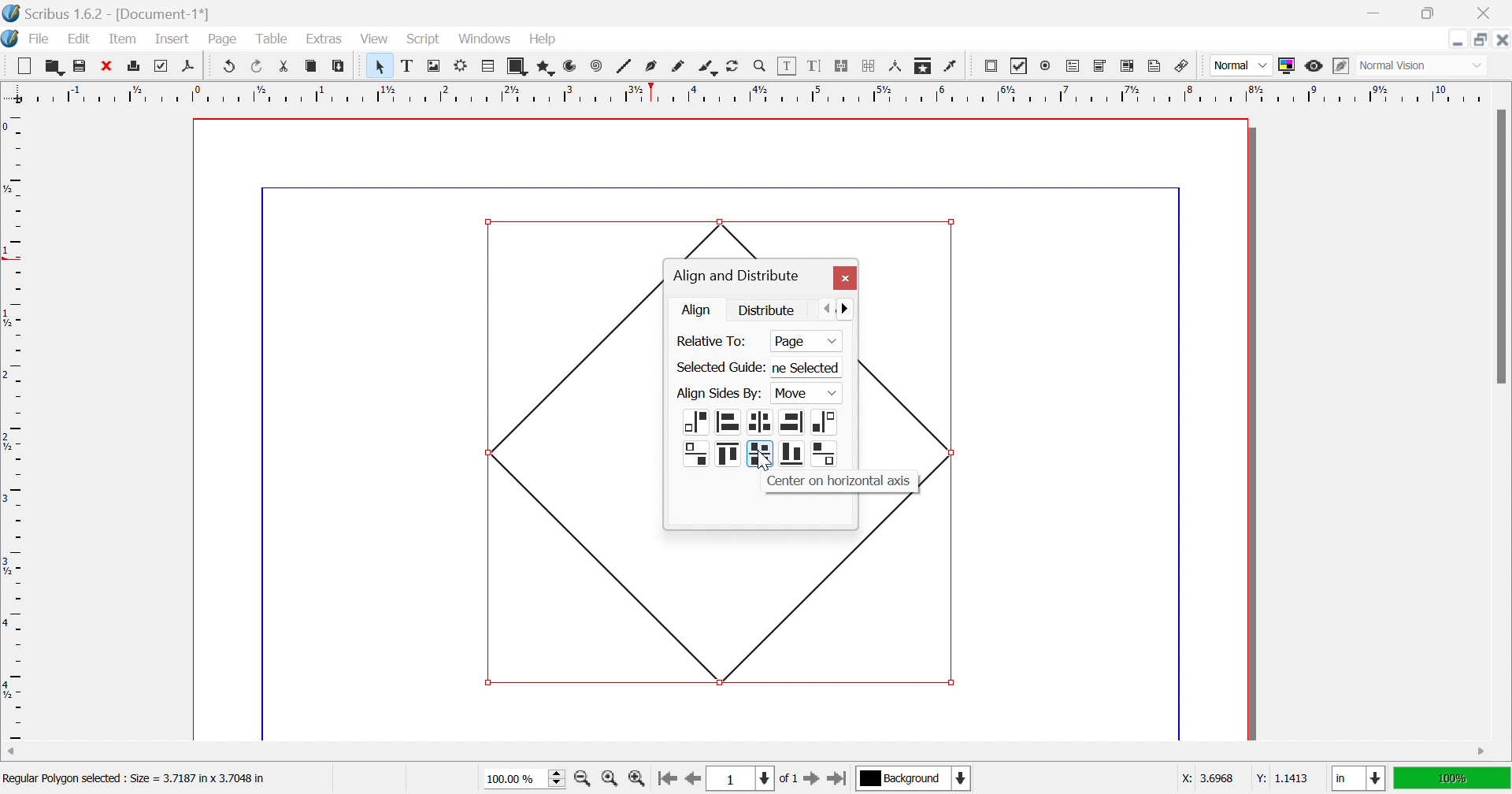 The width and height of the screenshot is (1512, 794). Describe the element at coordinates (1313, 66) in the screenshot. I see `Preview mode` at that location.